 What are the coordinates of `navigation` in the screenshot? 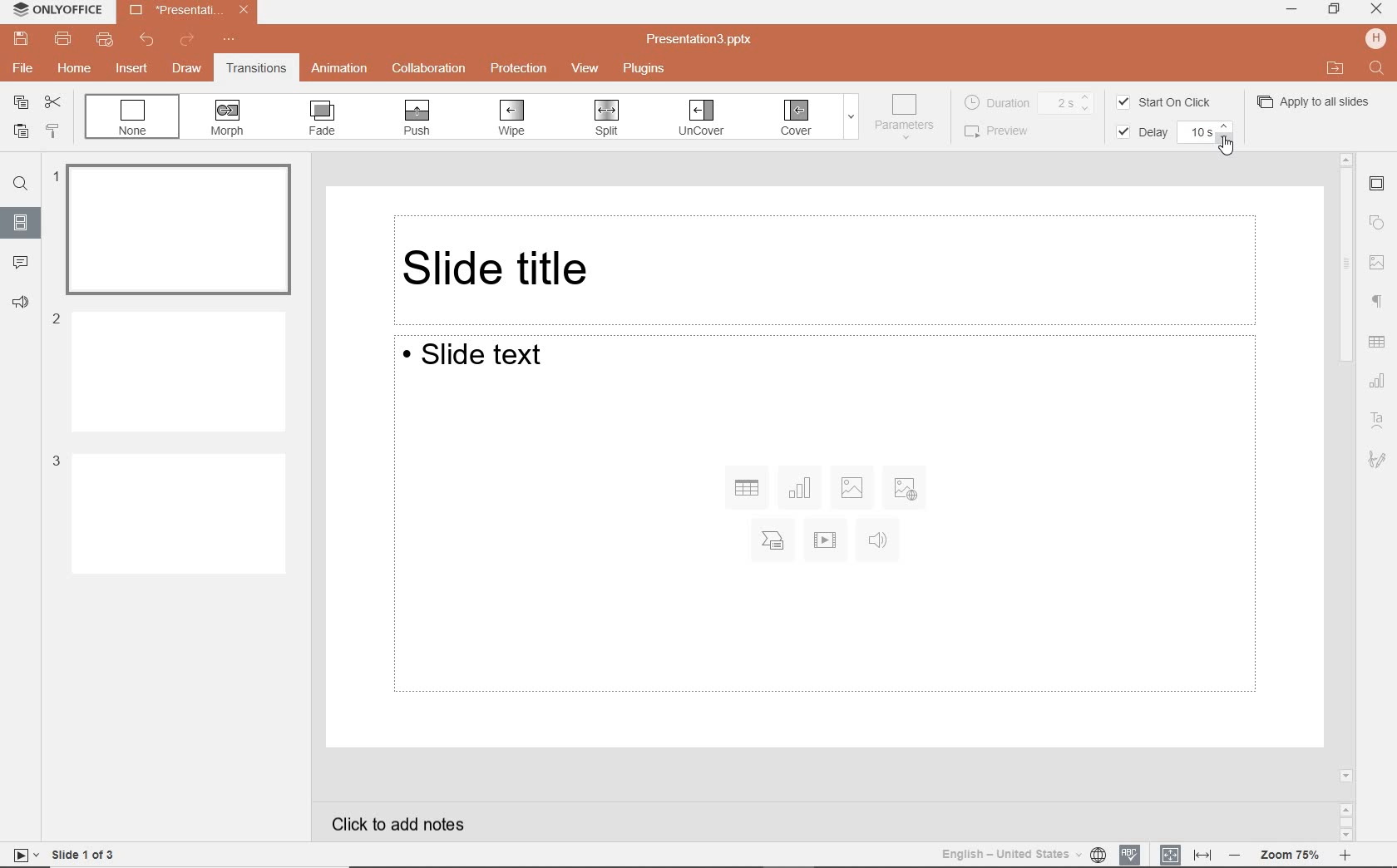 It's located at (1377, 264).